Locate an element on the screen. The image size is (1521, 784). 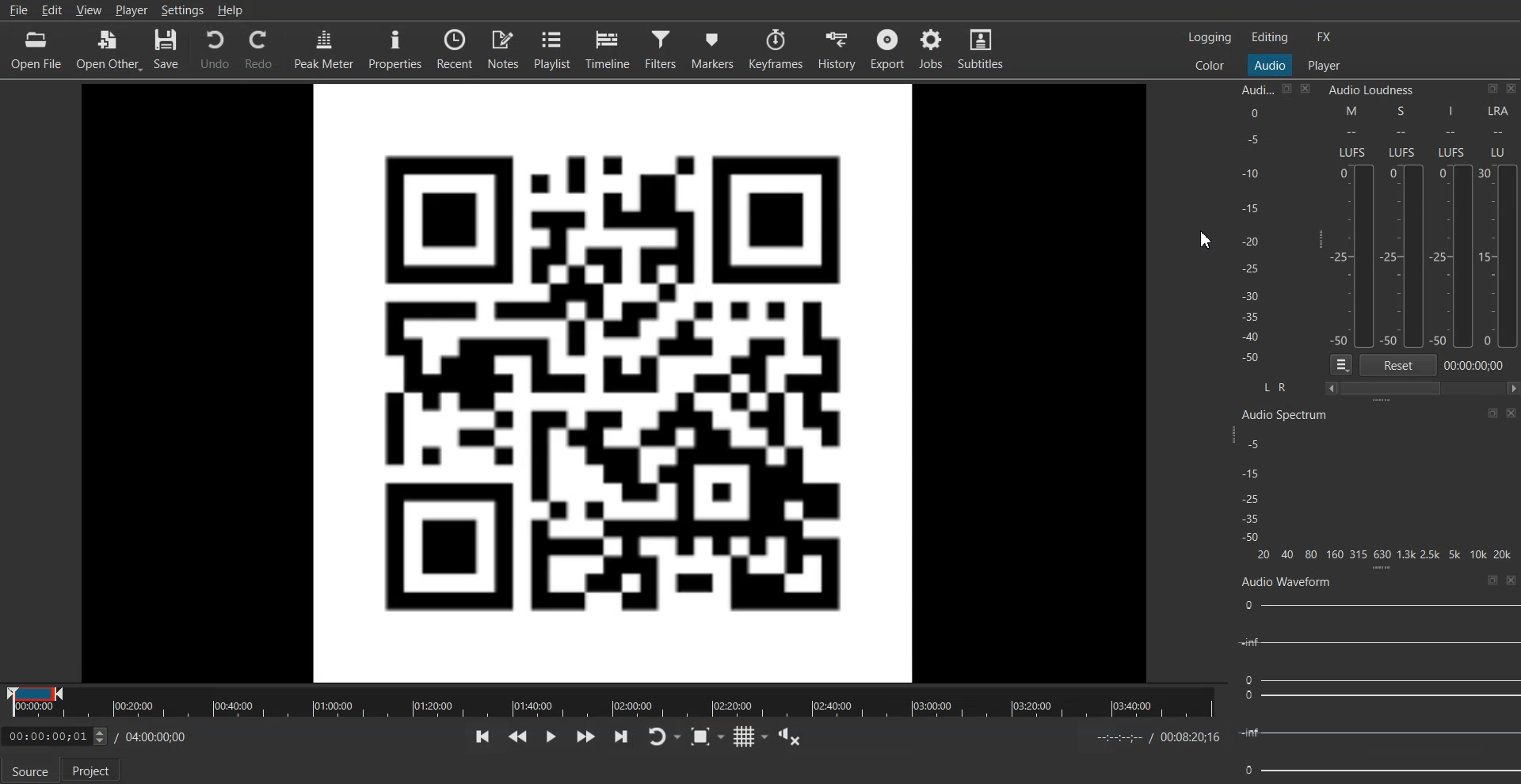
Toggle player looping is located at coordinates (664, 736).